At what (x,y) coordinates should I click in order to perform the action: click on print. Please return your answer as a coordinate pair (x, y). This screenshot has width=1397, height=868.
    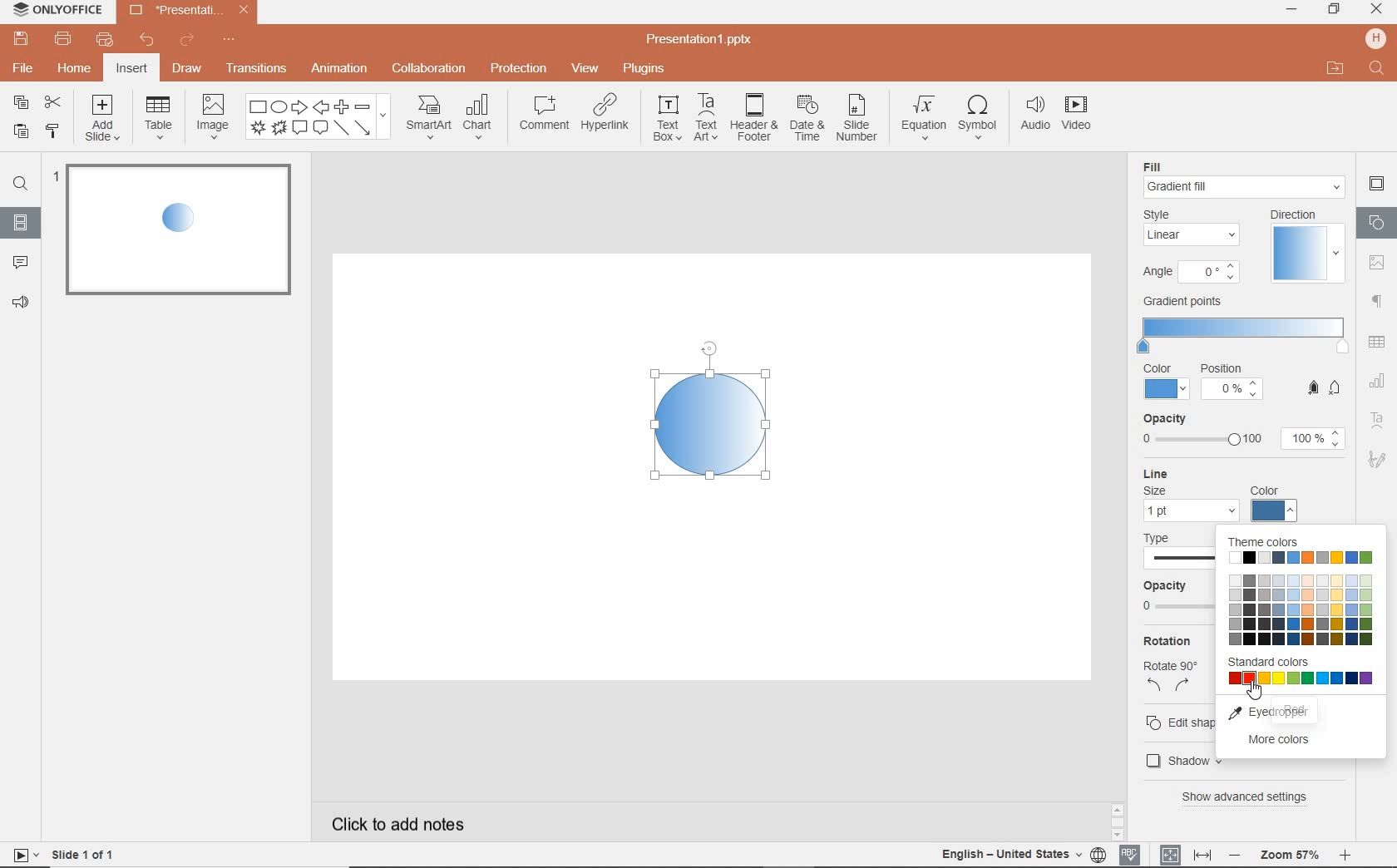
    Looking at the image, I should click on (64, 38).